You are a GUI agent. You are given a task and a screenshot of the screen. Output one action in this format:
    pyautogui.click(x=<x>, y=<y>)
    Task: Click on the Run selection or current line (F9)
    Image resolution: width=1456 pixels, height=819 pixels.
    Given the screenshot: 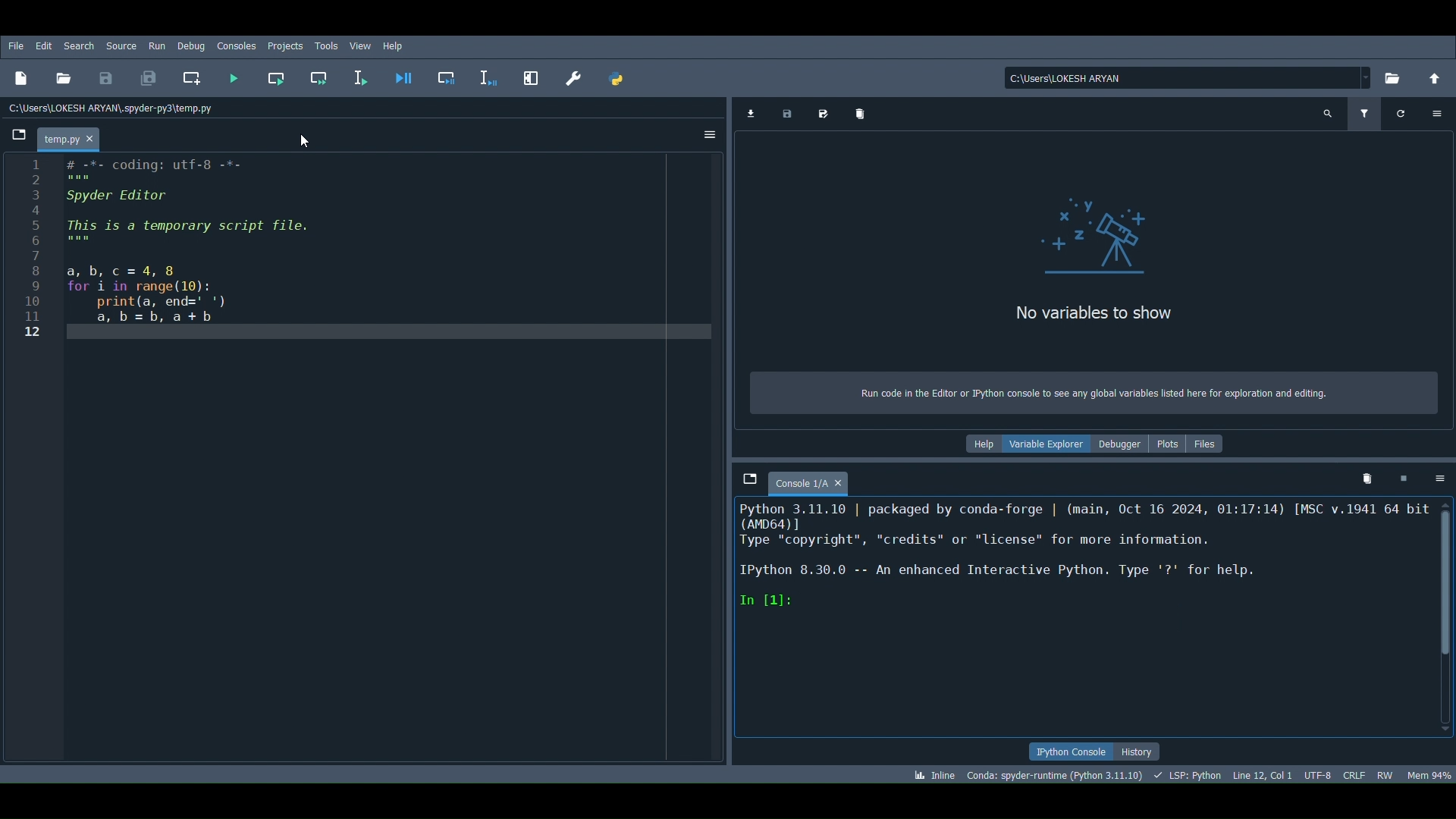 What is the action you would take?
    pyautogui.click(x=358, y=80)
    